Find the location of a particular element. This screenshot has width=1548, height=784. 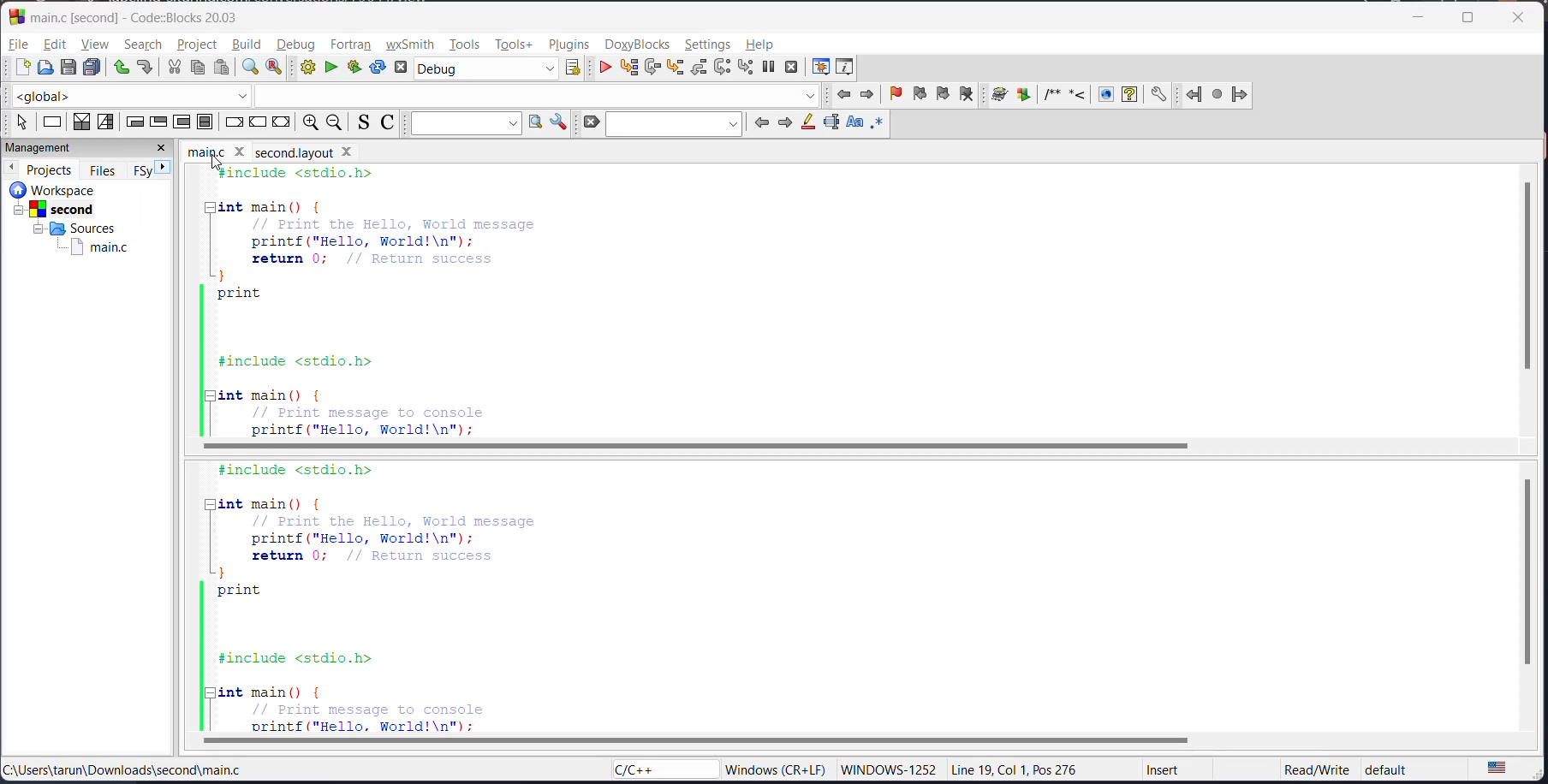

search is located at coordinates (143, 45).